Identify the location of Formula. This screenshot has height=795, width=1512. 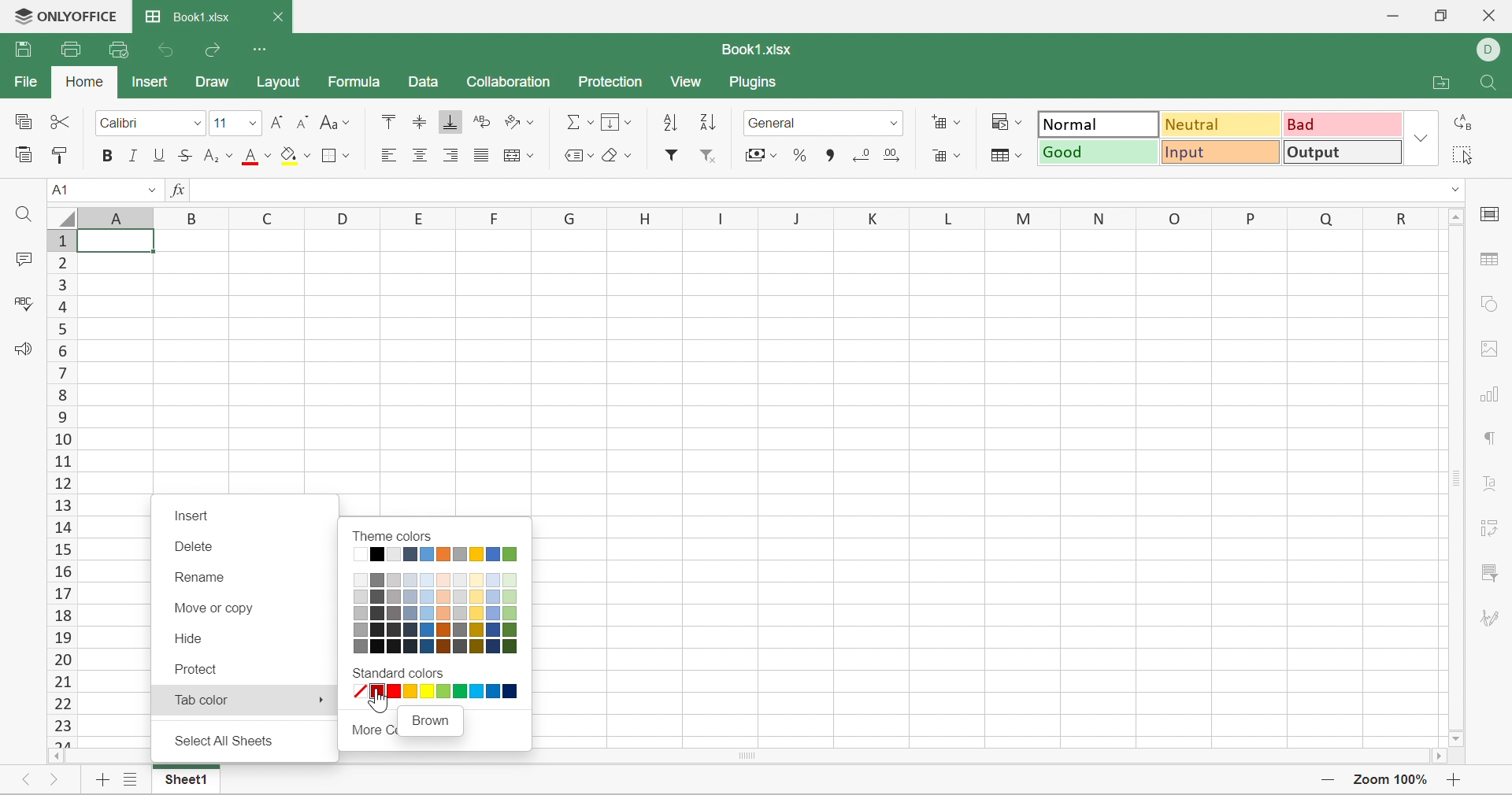
(353, 82).